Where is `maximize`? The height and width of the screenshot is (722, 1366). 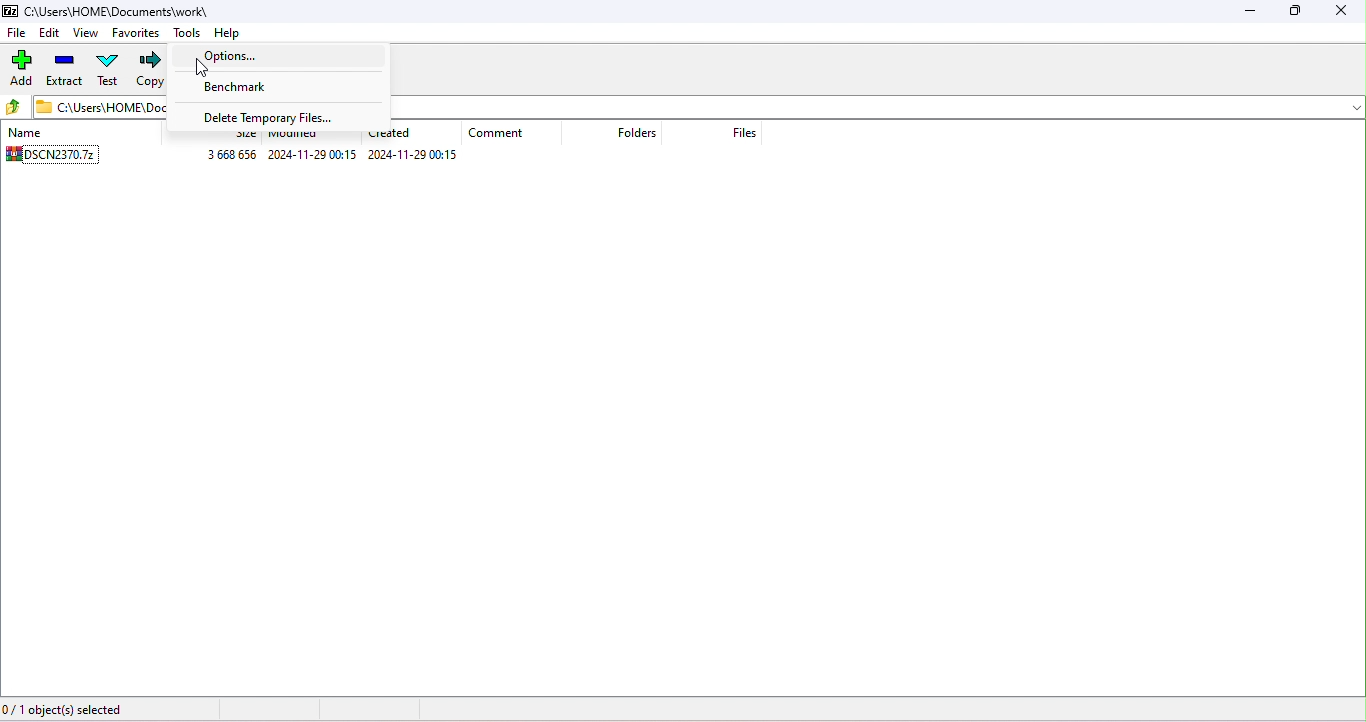
maximize is located at coordinates (1299, 12).